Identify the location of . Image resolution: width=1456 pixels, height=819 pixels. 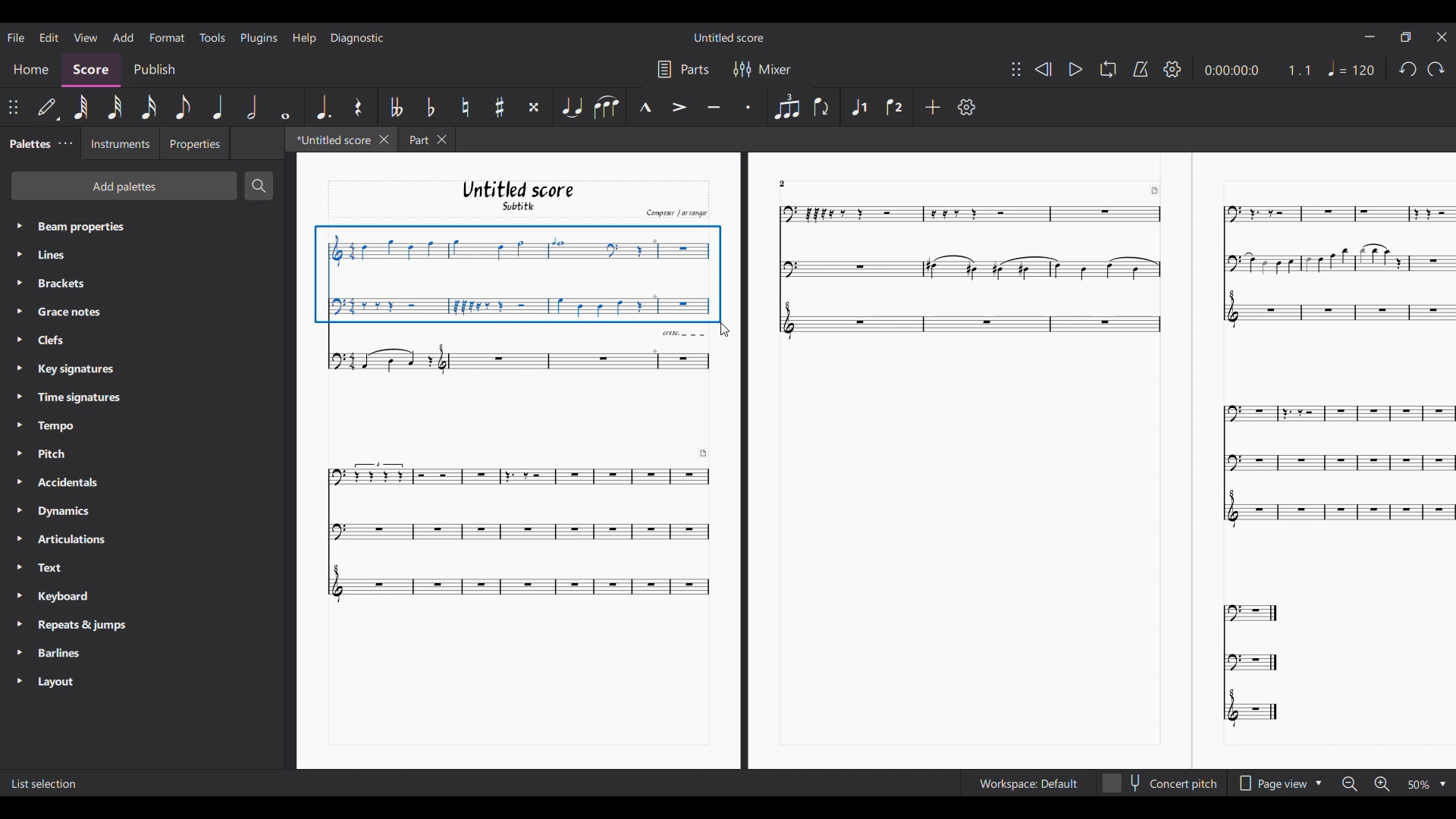
(17, 512).